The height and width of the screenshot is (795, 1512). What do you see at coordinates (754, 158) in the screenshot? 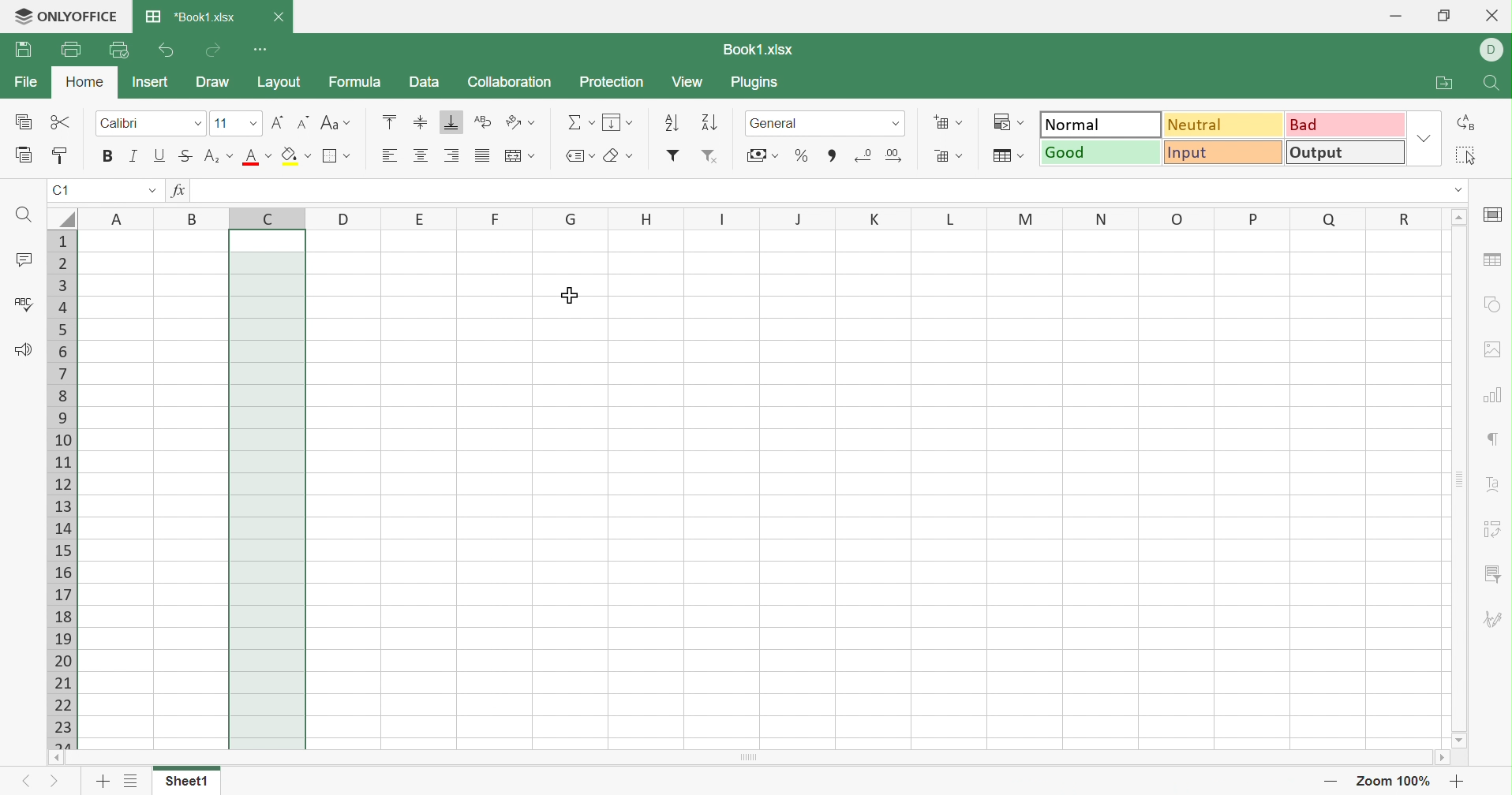
I see `Accountancy style` at bounding box center [754, 158].